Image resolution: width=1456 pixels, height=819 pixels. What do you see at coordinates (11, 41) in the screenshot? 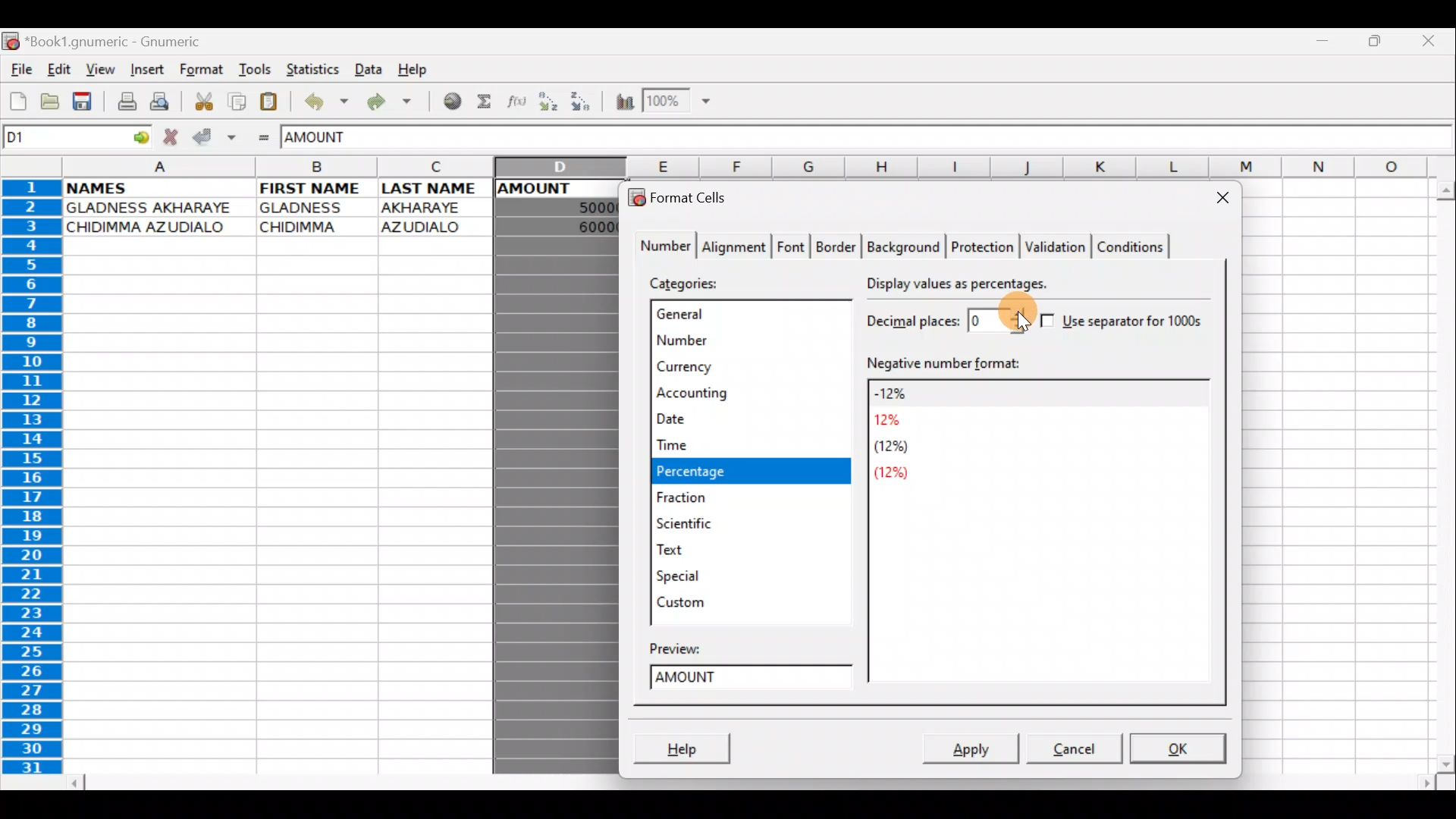
I see `Gnumeric logo` at bounding box center [11, 41].